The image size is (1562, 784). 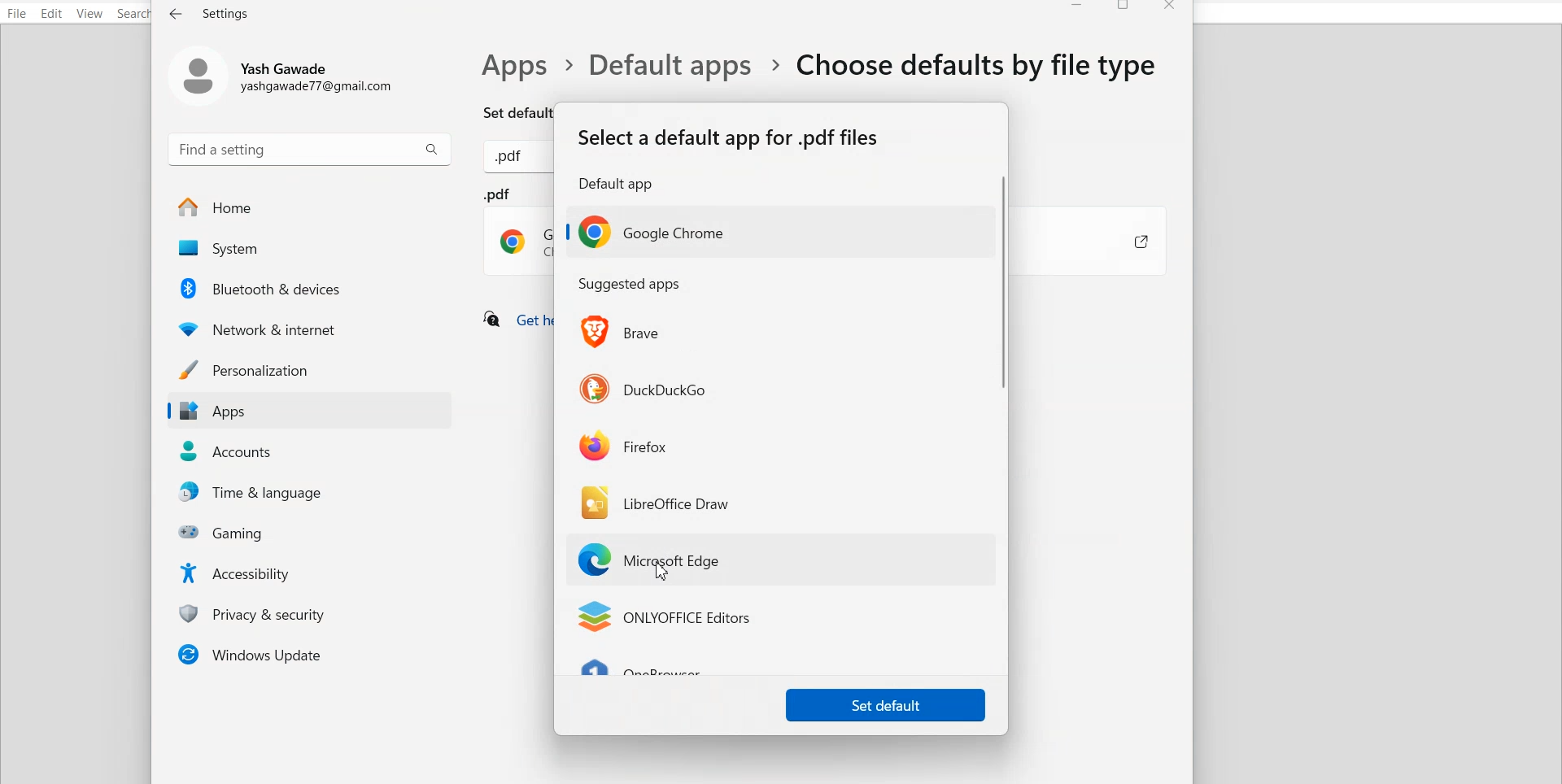 I want to click on Get help, so click(x=514, y=320).